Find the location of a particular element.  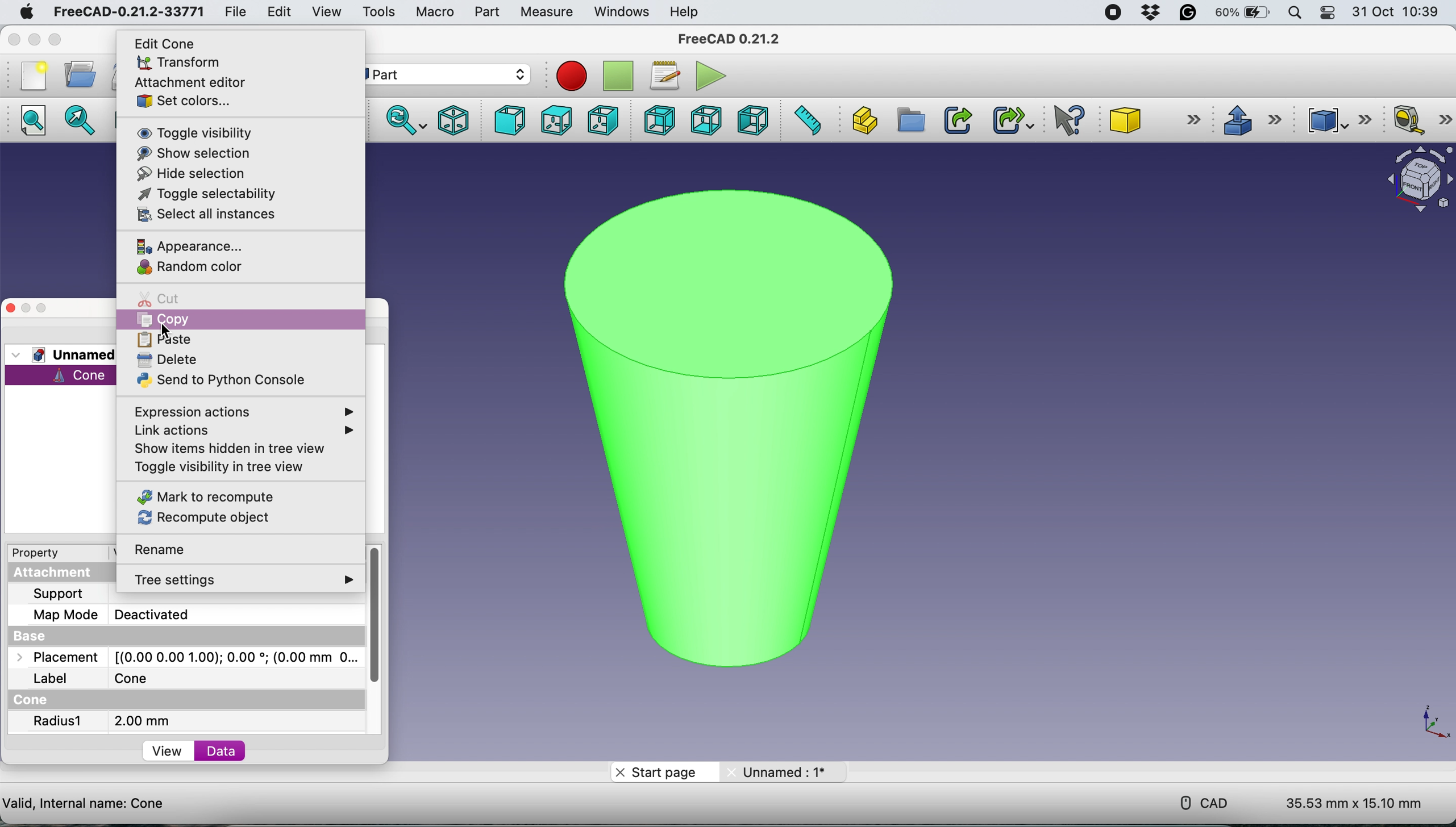

tree settings is located at coordinates (248, 581).